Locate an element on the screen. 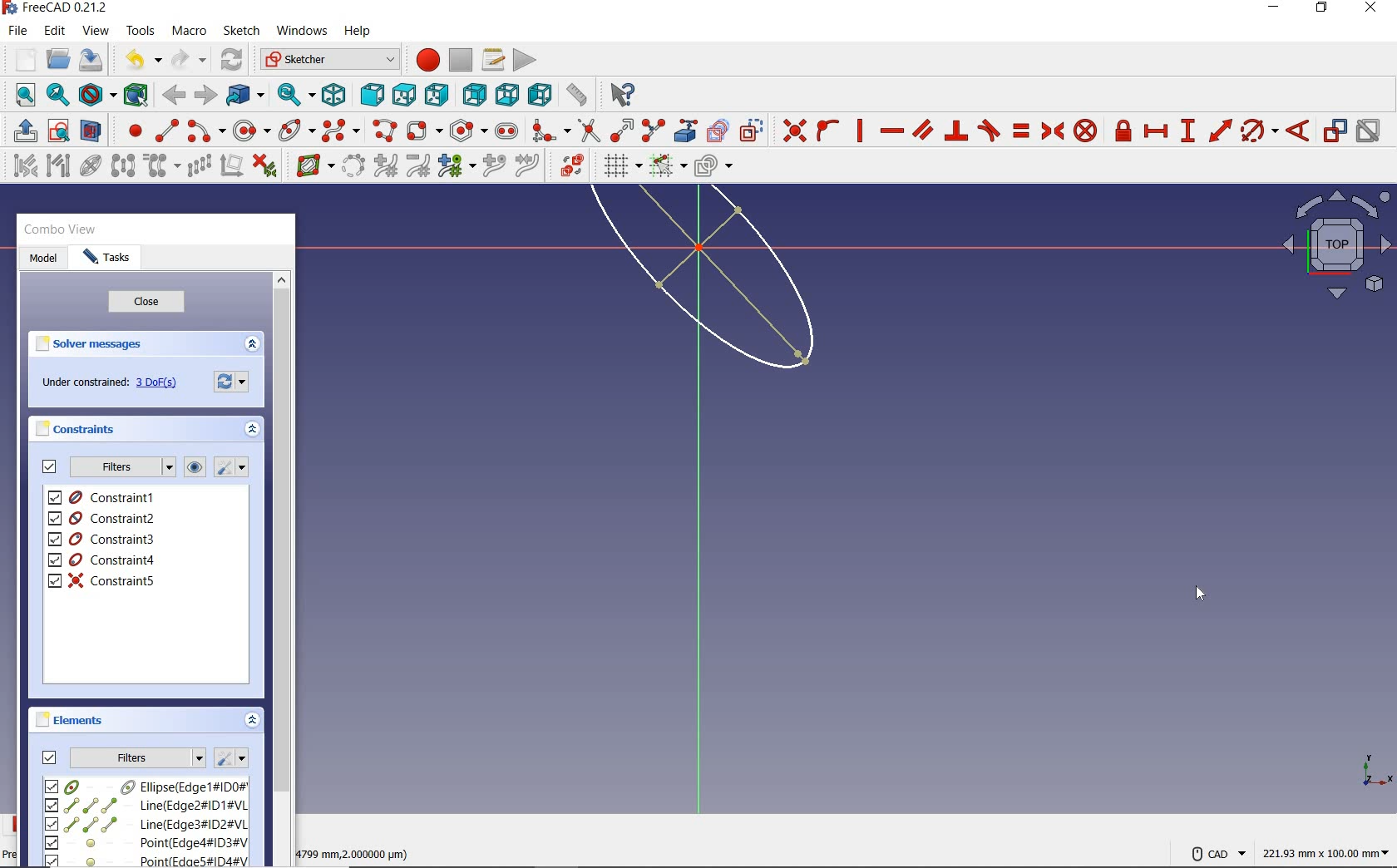  open is located at coordinates (58, 60).